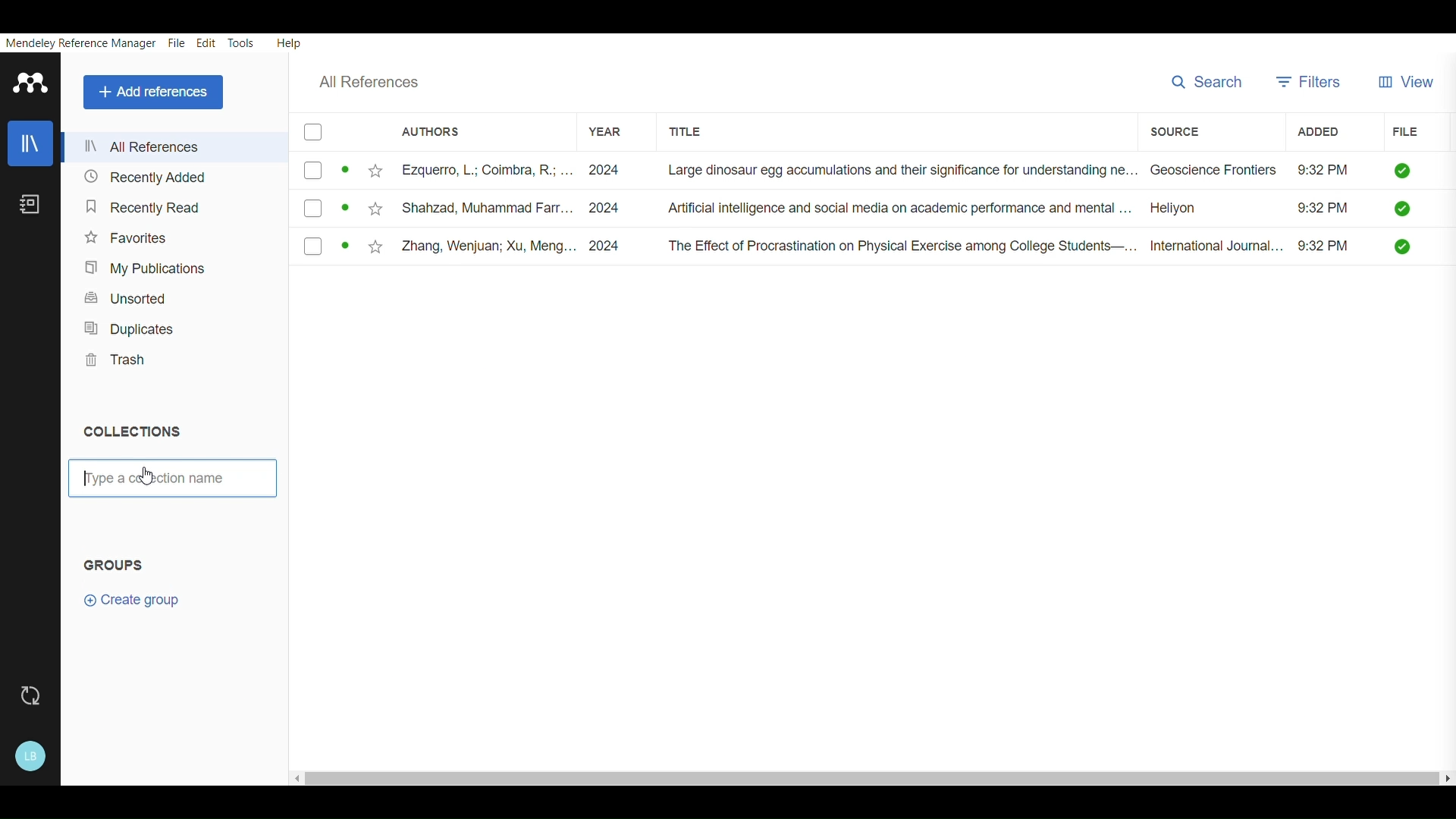 This screenshot has height=819, width=1456. I want to click on Add references, so click(151, 90).